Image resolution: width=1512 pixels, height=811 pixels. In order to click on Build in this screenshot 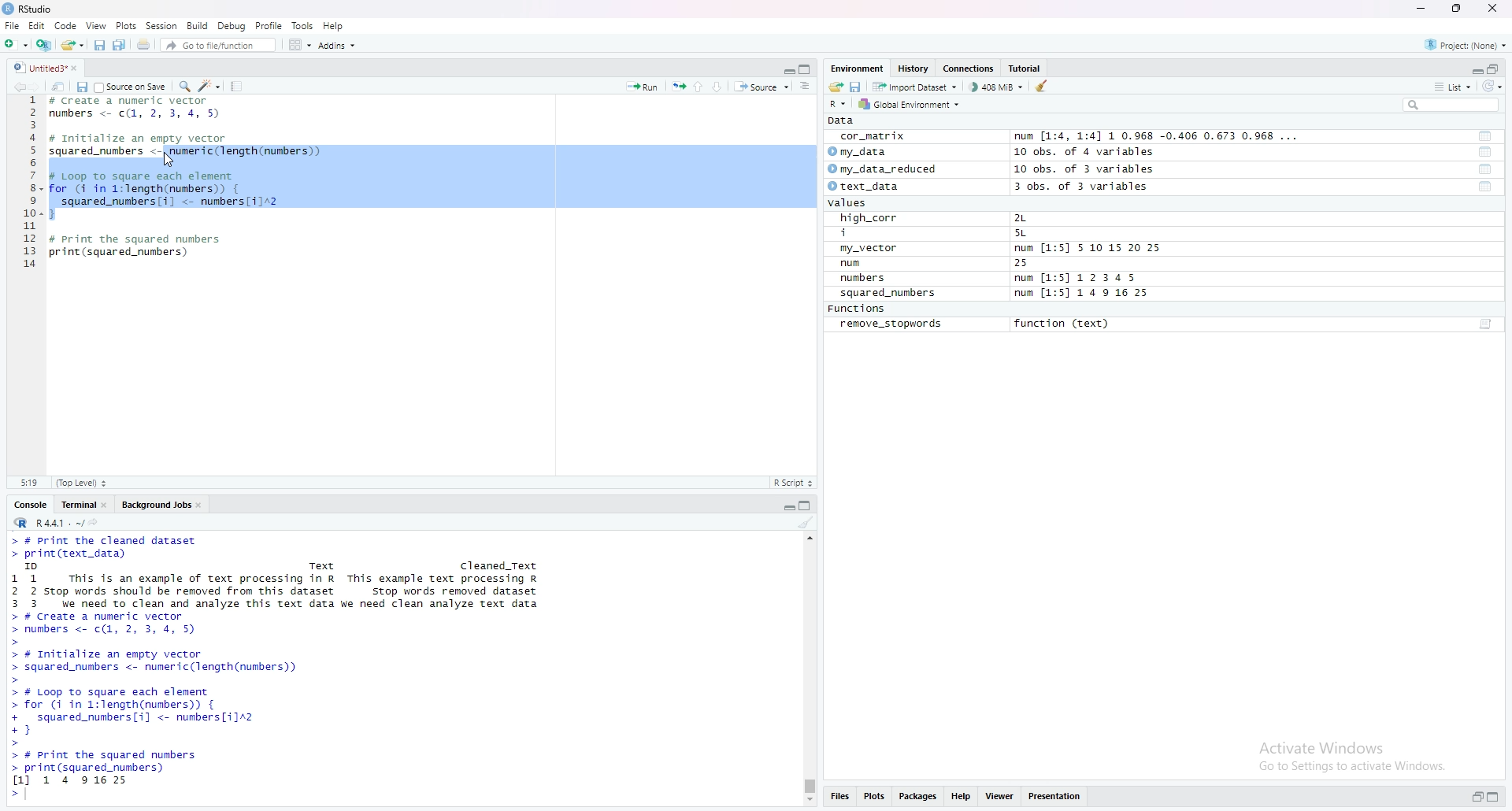, I will do `click(198, 25)`.